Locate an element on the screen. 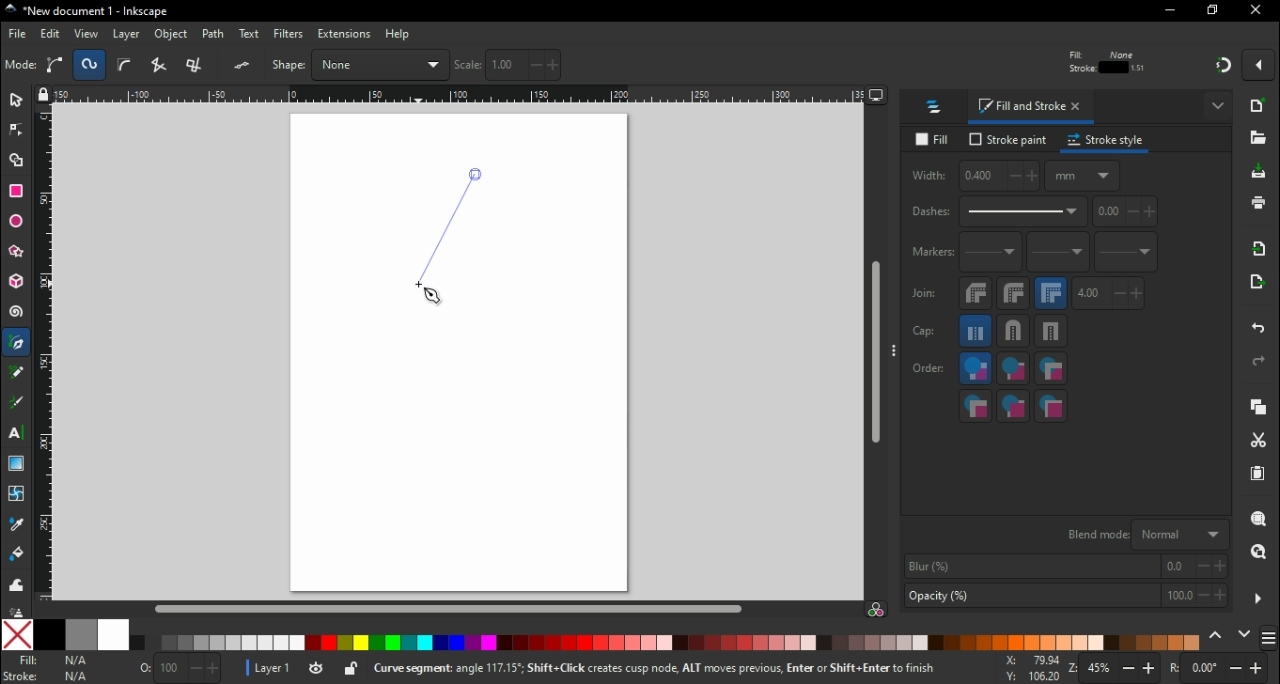  start marker is located at coordinates (992, 257).